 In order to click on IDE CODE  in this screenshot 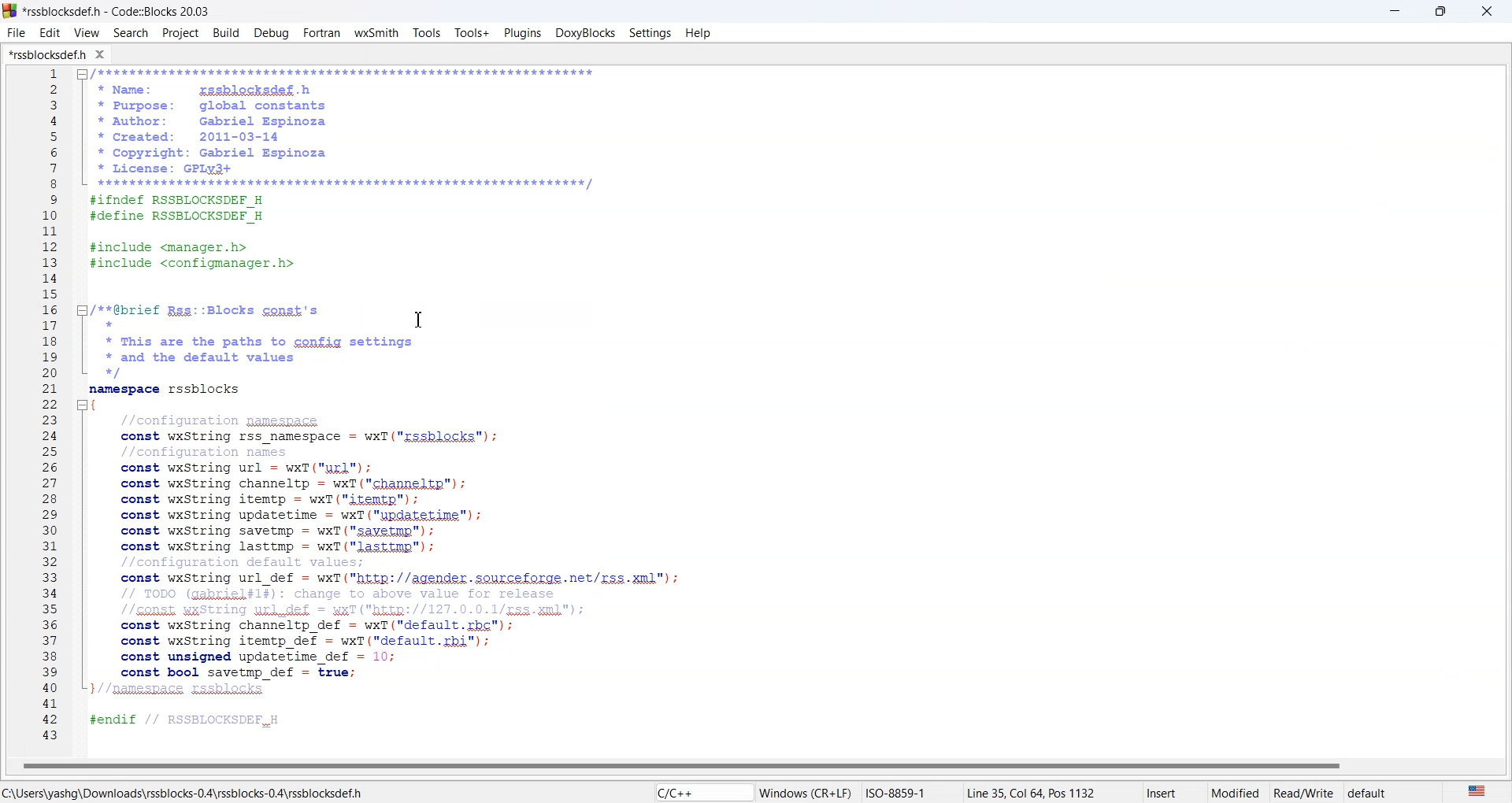, I will do `click(399, 405)`.